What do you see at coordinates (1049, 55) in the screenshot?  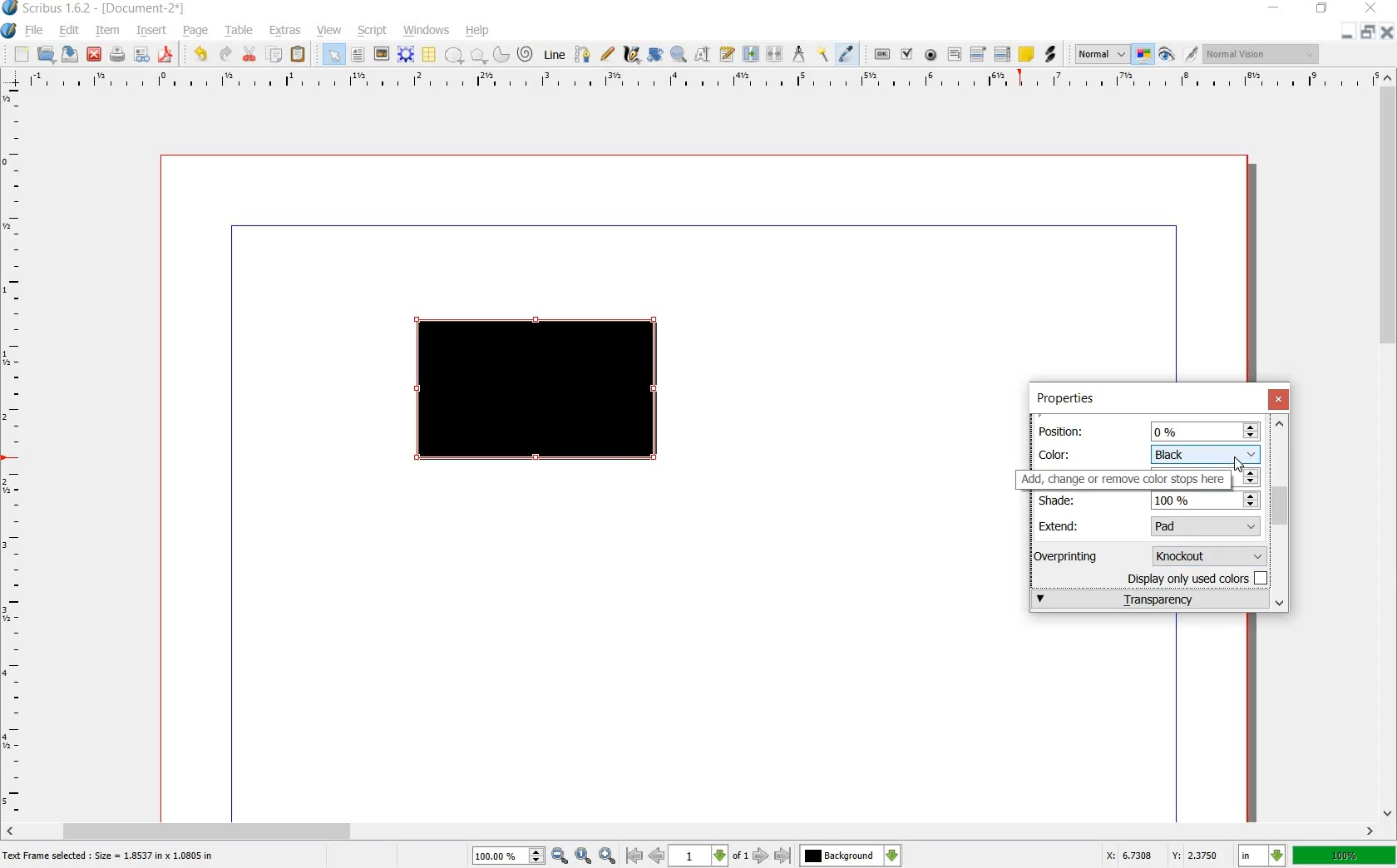 I see `link annotation` at bounding box center [1049, 55].